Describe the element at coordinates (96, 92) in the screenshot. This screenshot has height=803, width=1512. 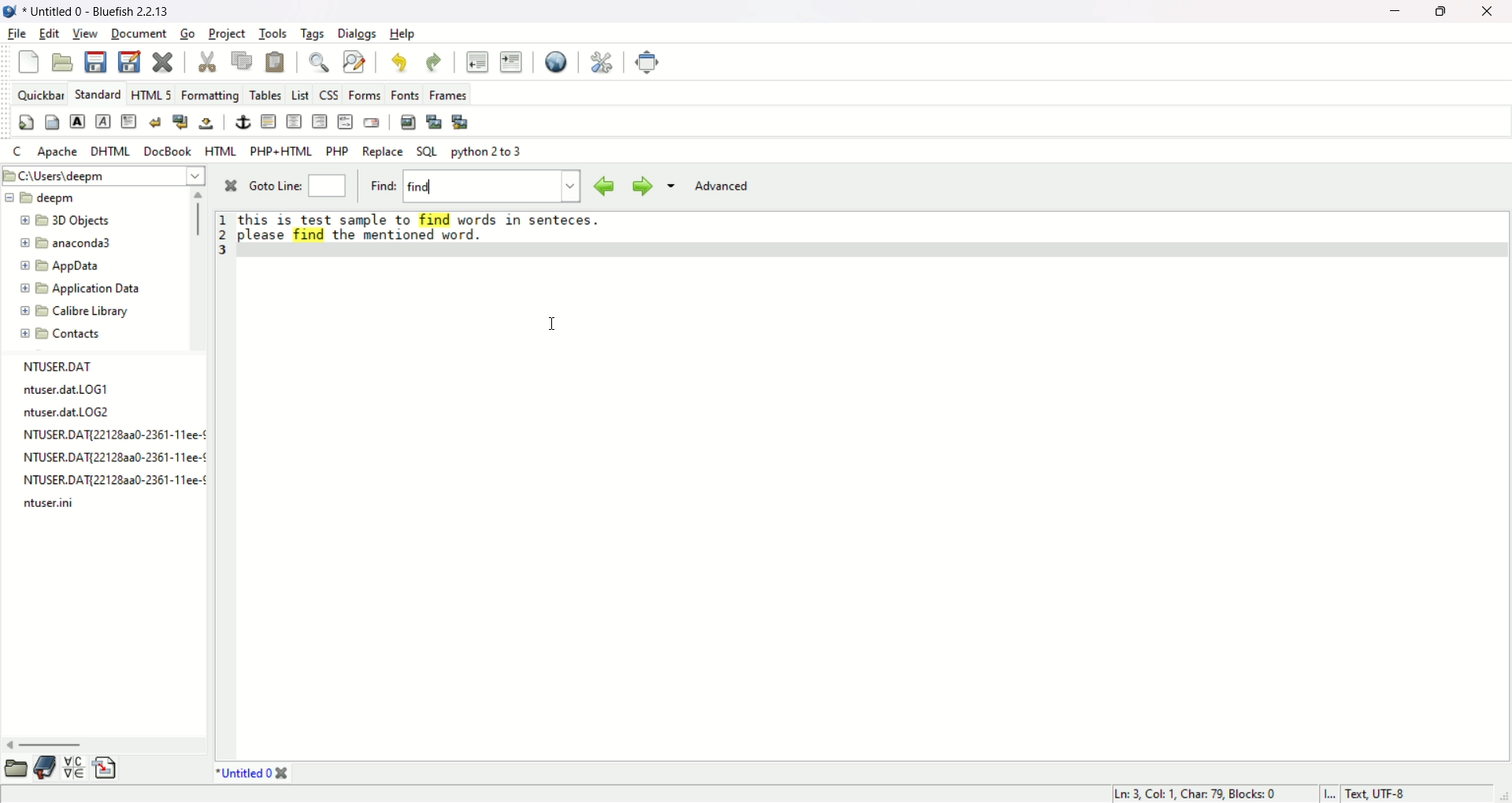
I see `Standard` at that location.